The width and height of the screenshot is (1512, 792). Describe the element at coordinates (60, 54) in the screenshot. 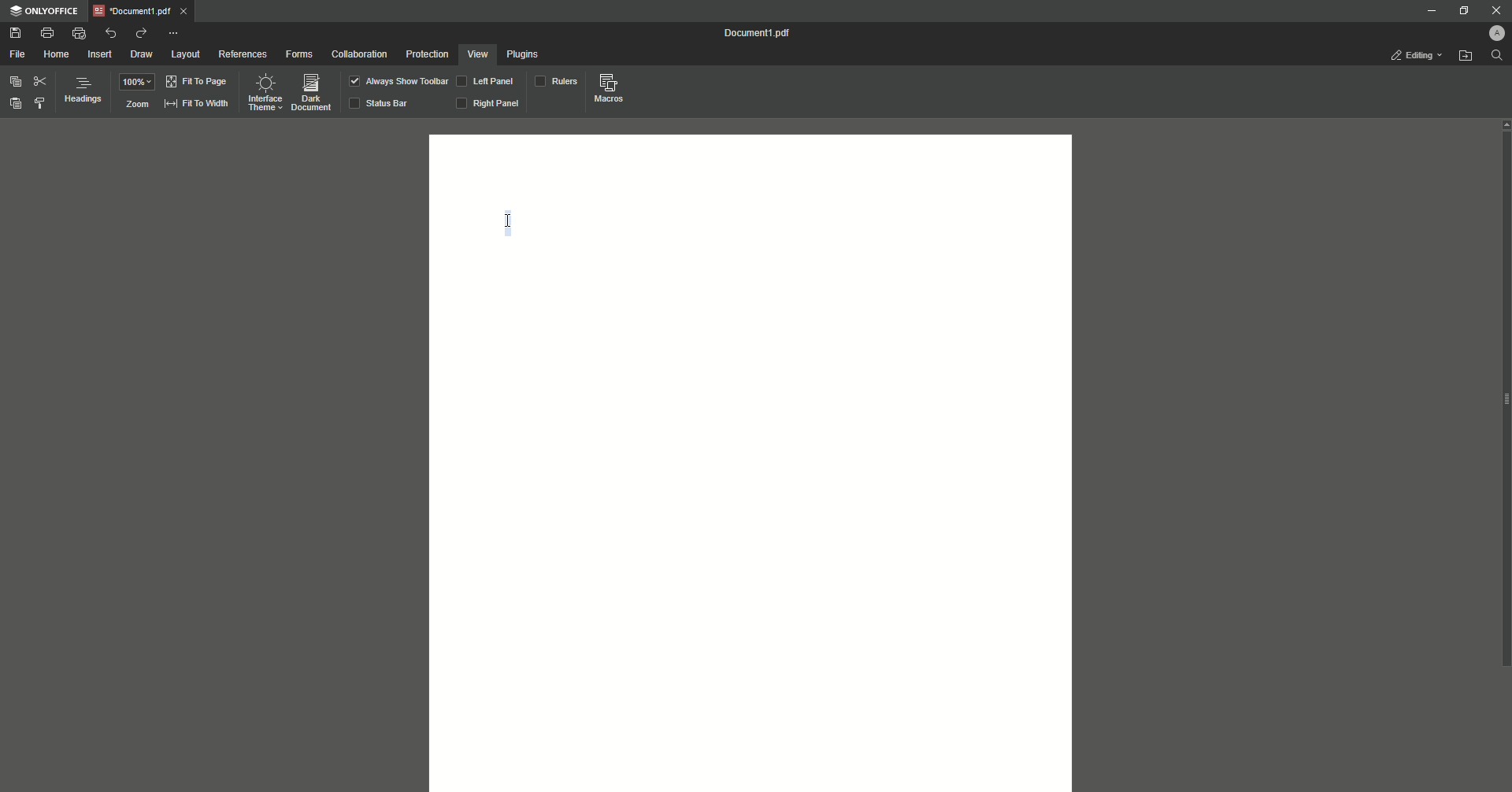

I see `Home` at that location.